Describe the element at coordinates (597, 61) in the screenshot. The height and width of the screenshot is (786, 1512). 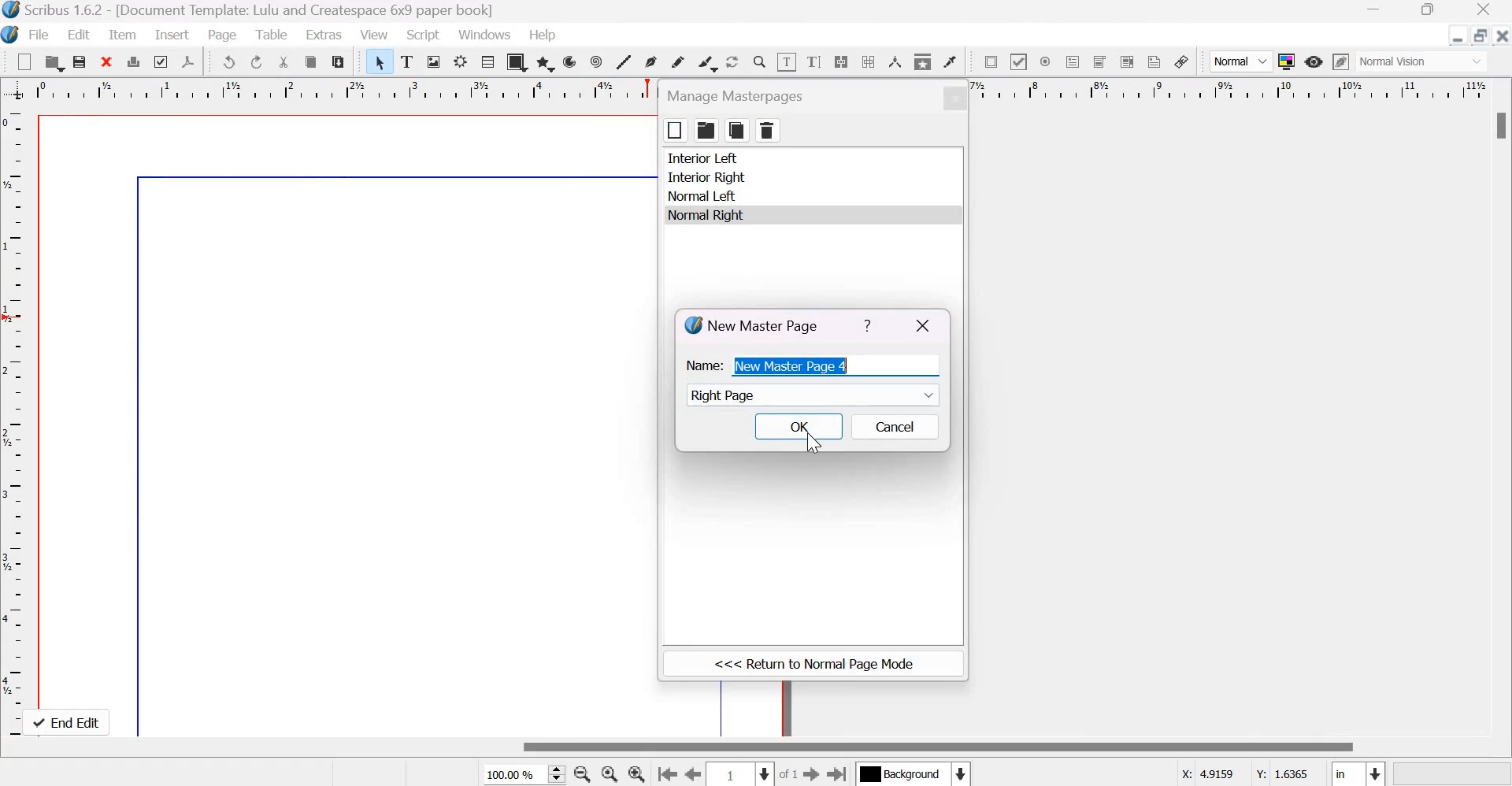
I see `spiral` at that location.